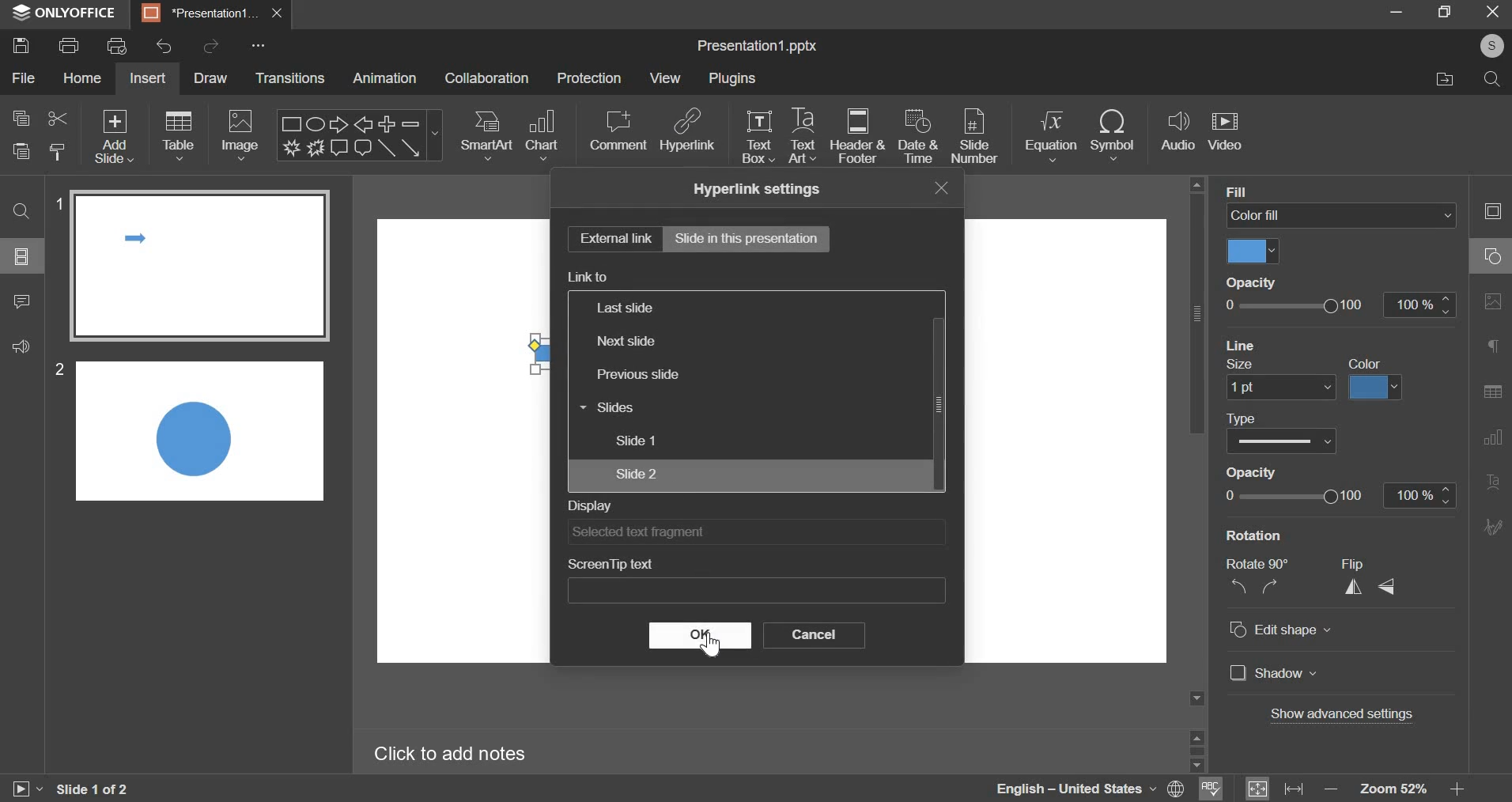  Describe the element at coordinates (62, 15) in the screenshot. I see `ONLYOFFICE` at that location.